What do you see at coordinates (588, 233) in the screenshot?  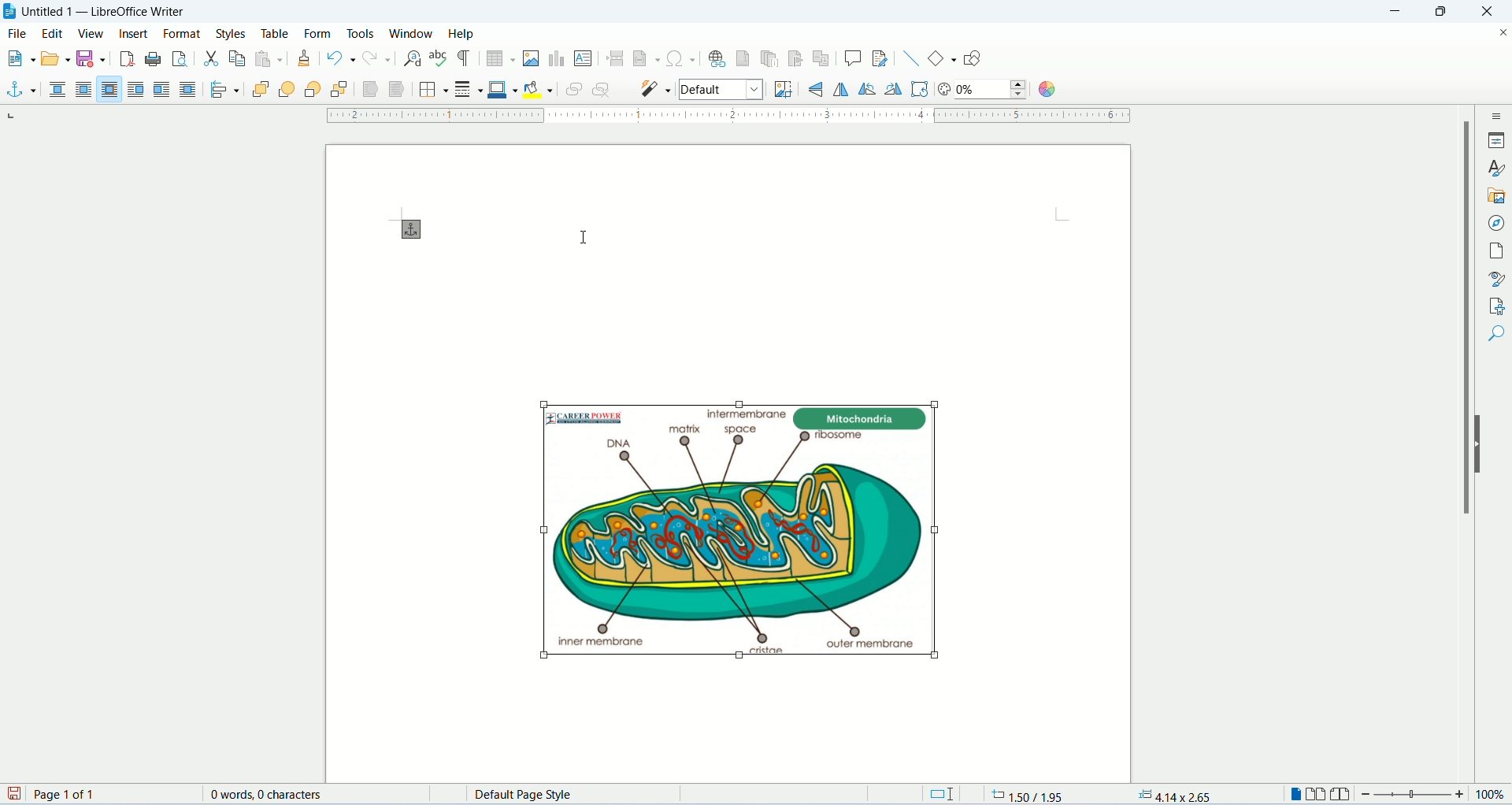 I see `cursor` at bounding box center [588, 233].